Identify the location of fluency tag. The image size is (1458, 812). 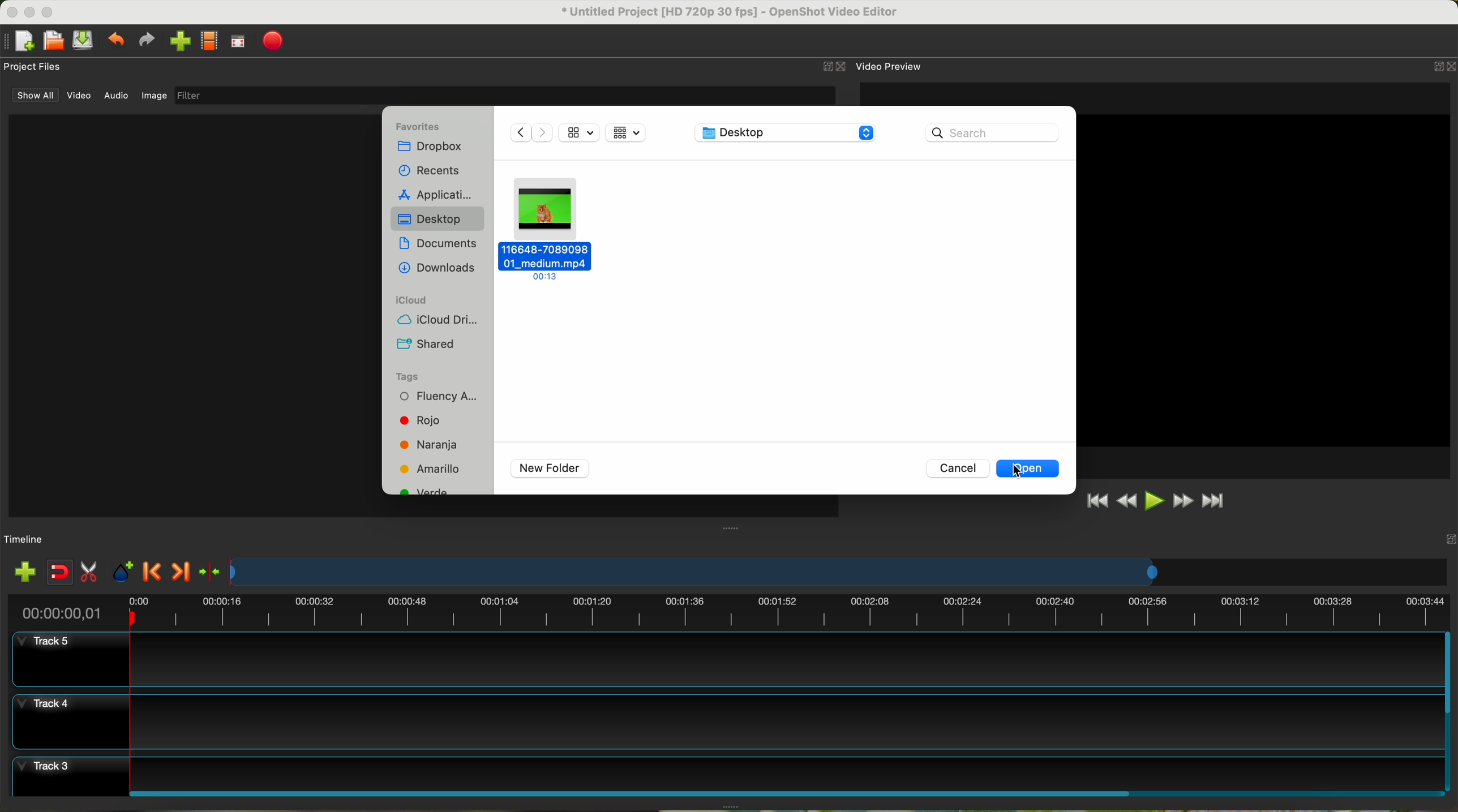
(435, 398).